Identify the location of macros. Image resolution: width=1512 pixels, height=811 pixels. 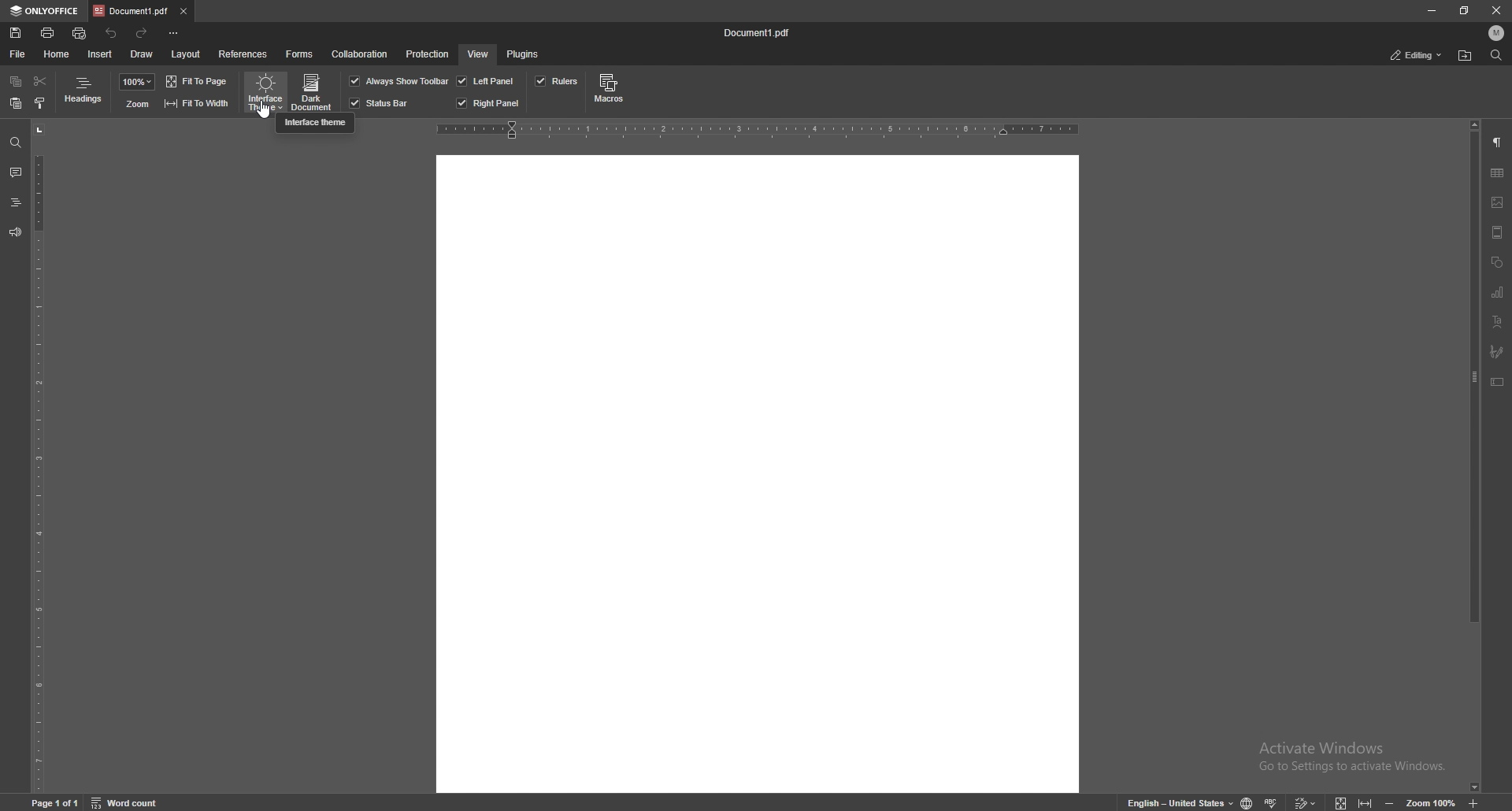
(611, 90).